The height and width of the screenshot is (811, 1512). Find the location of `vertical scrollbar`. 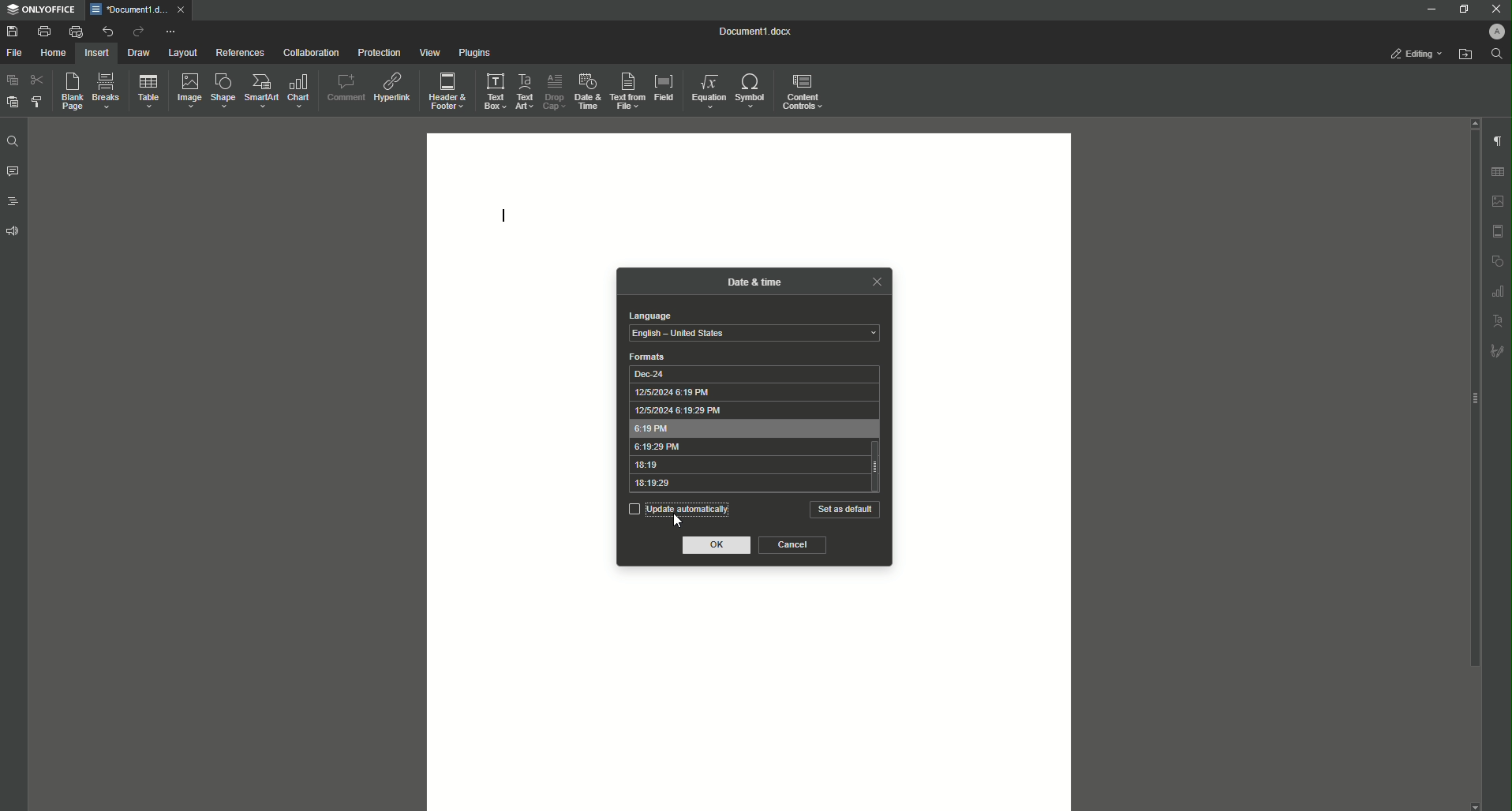

vertical scrollbar is located at coordinates (878, 465).